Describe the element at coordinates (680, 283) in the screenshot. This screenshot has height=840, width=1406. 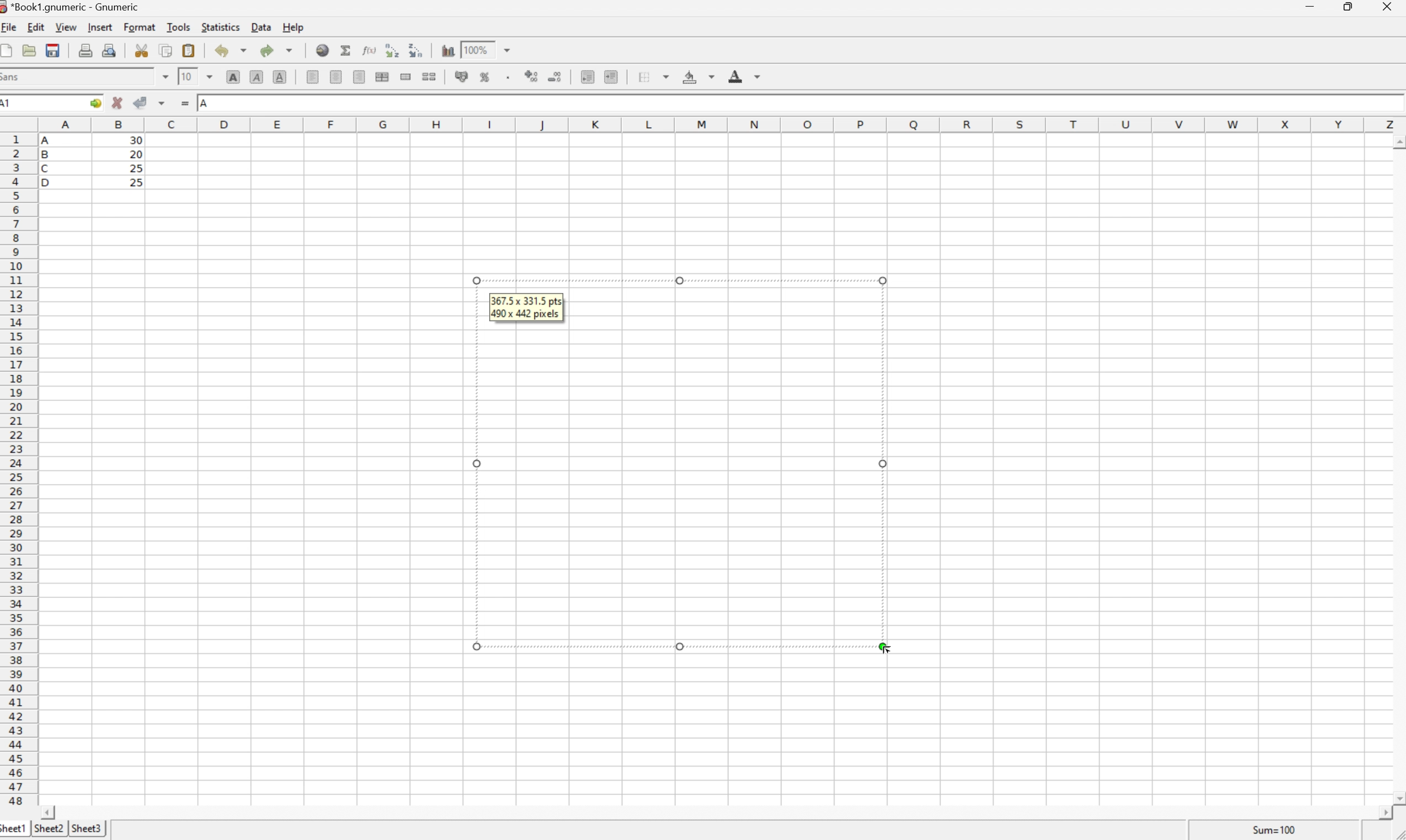
I see `` at that location.